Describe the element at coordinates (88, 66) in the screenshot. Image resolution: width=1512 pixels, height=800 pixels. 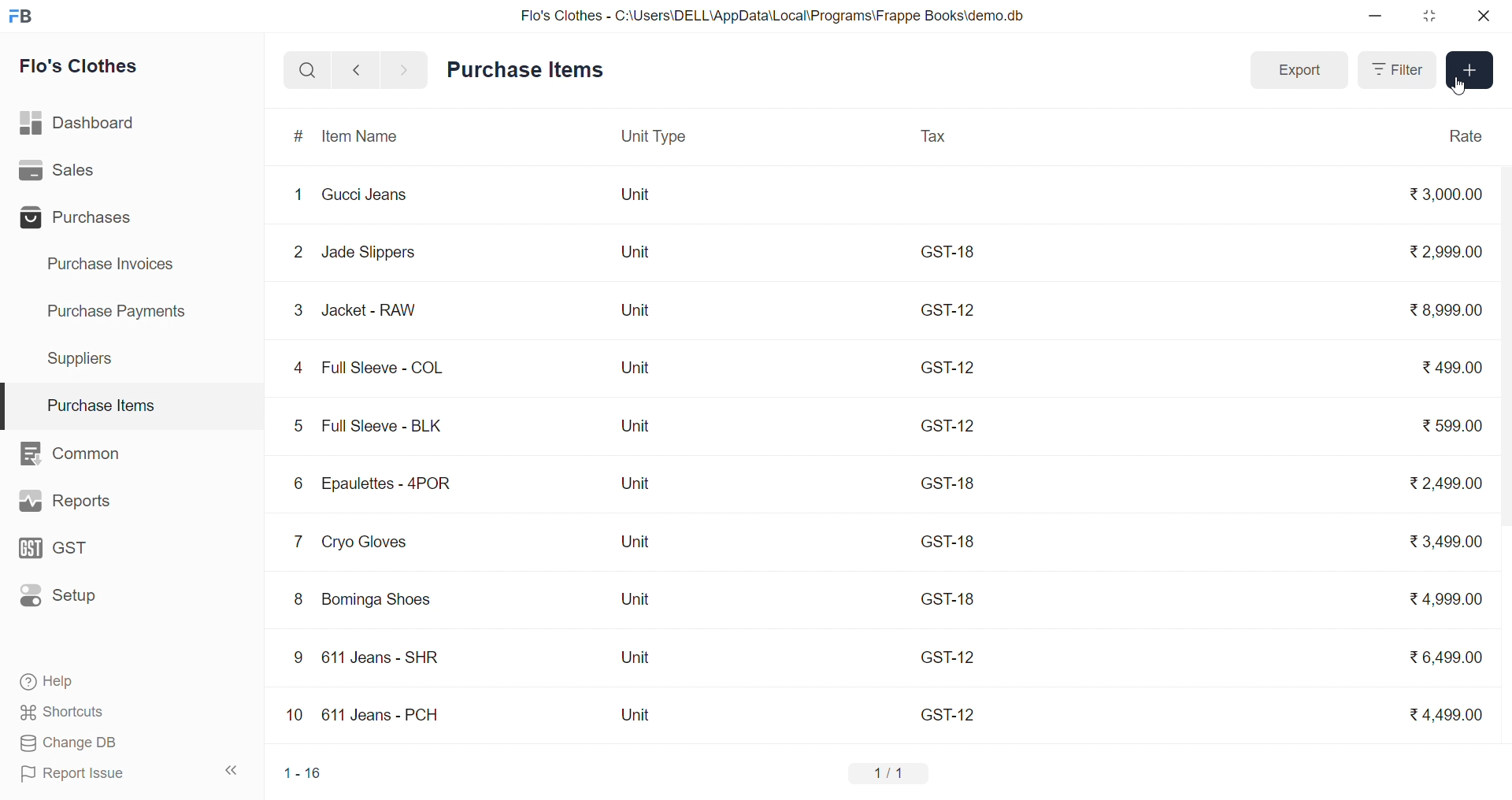
I see `Flo's Clothes` at that location.